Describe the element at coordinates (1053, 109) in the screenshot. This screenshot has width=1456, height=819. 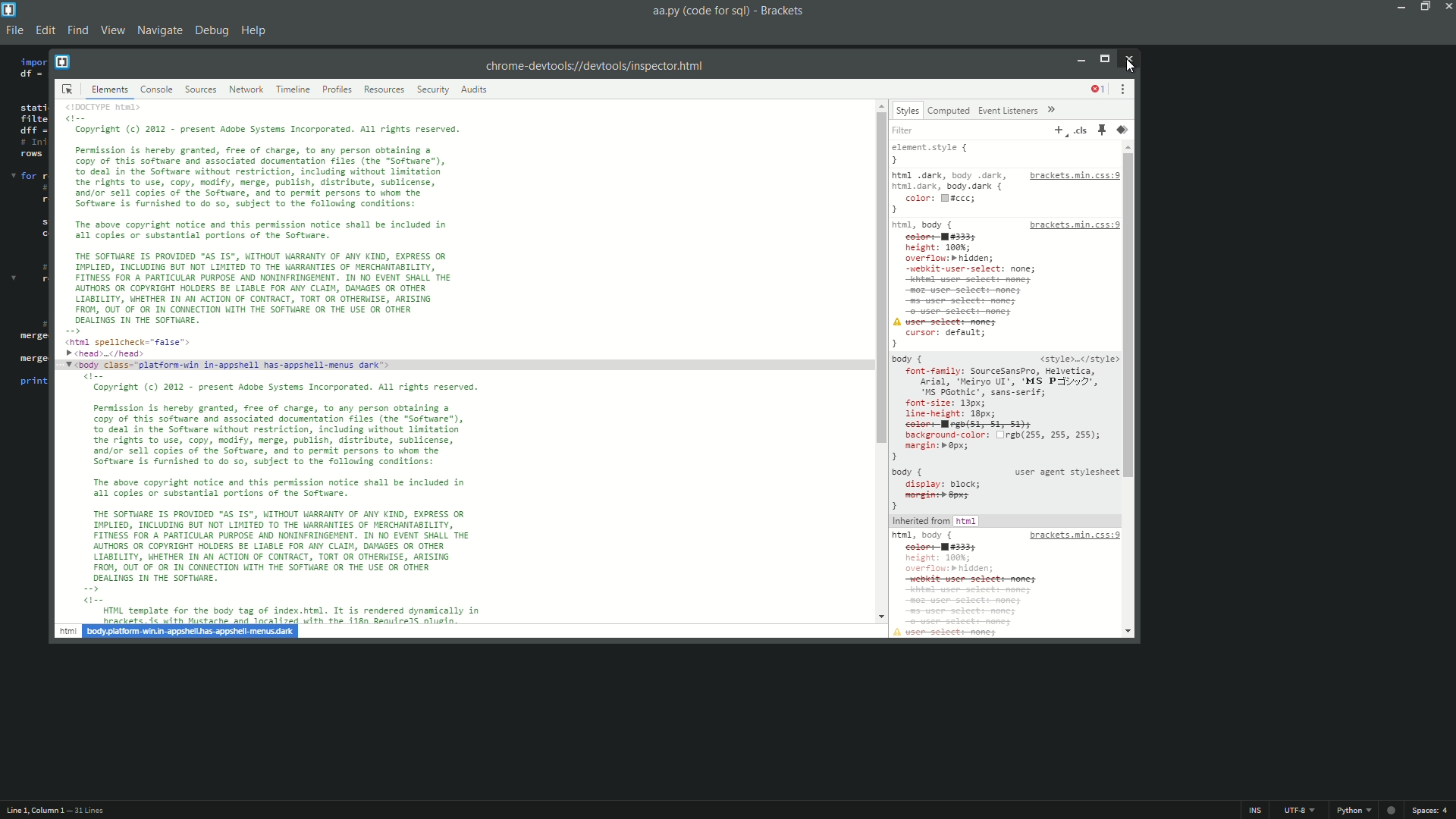
I see `expand` at that location.